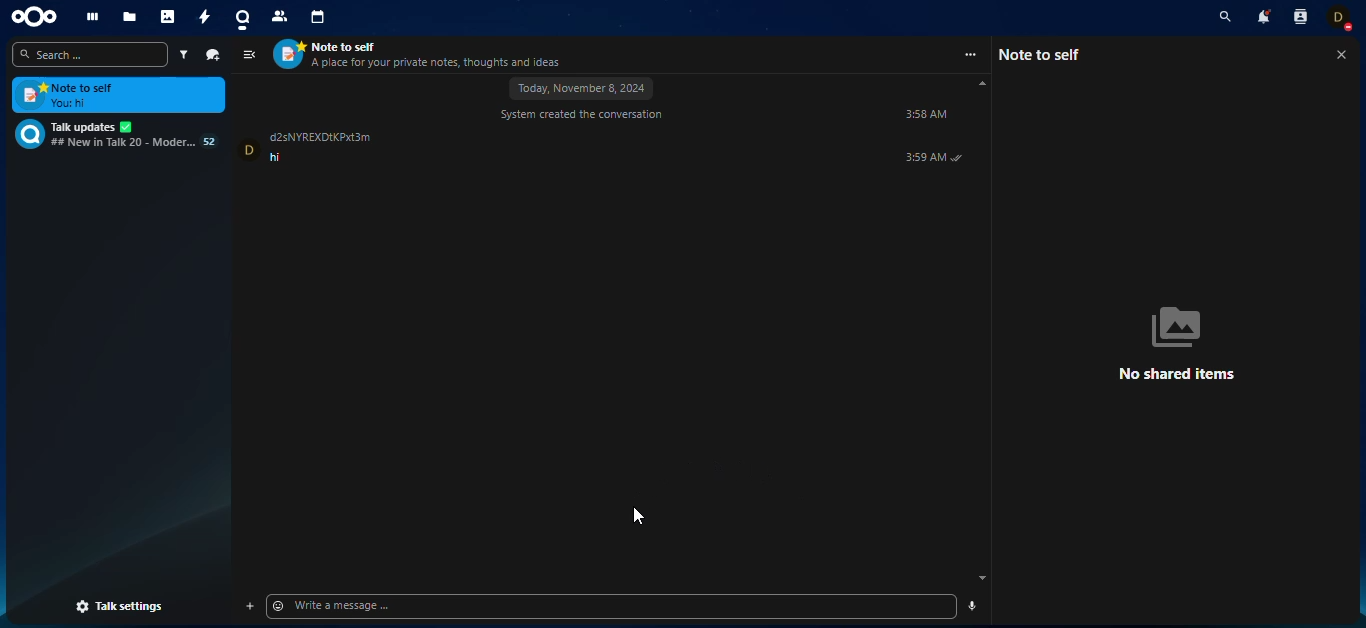 The image size is (1366, 628). I want to click on search, so click(1221, 17).